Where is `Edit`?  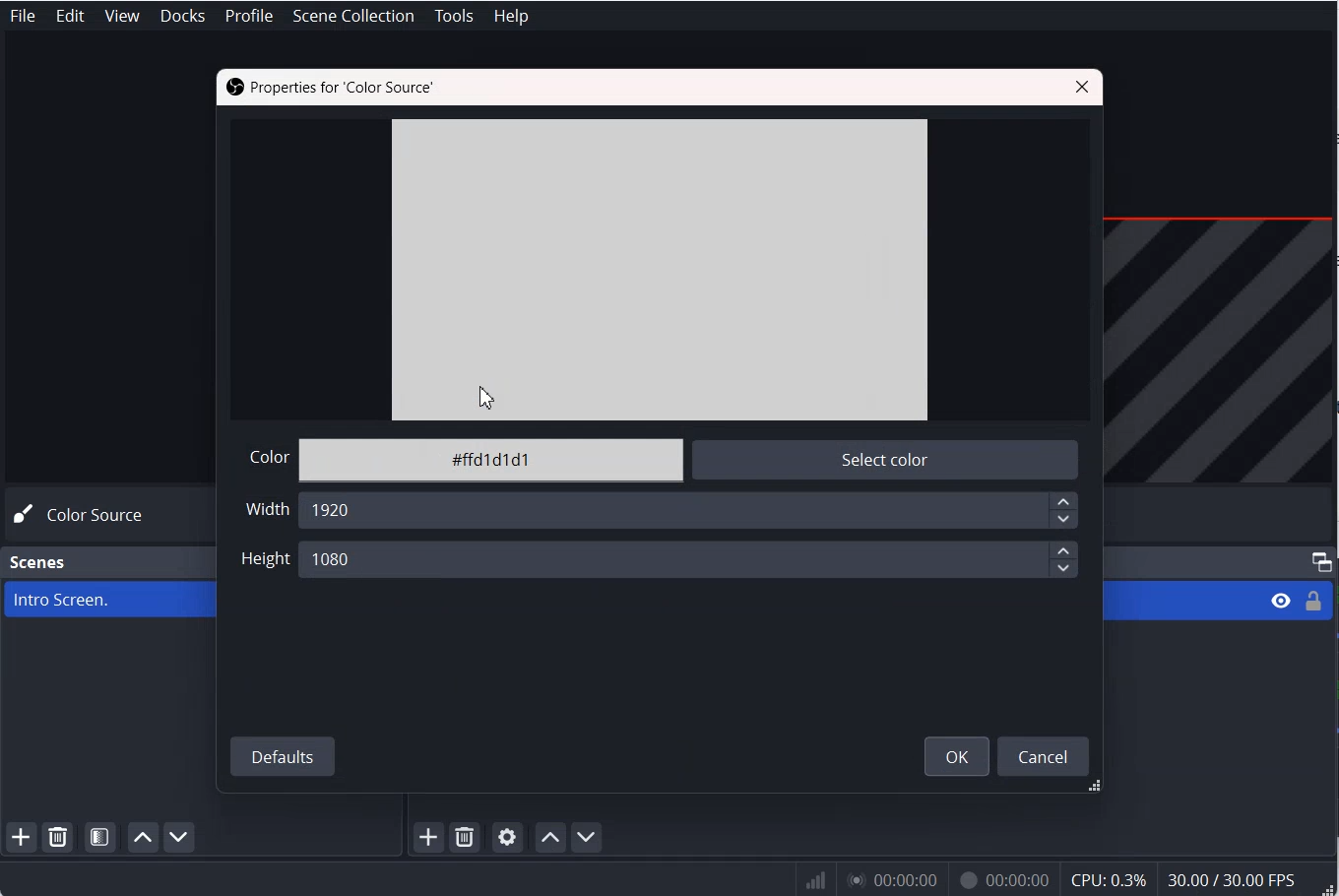
Edit is located at coordinates (71, 16).